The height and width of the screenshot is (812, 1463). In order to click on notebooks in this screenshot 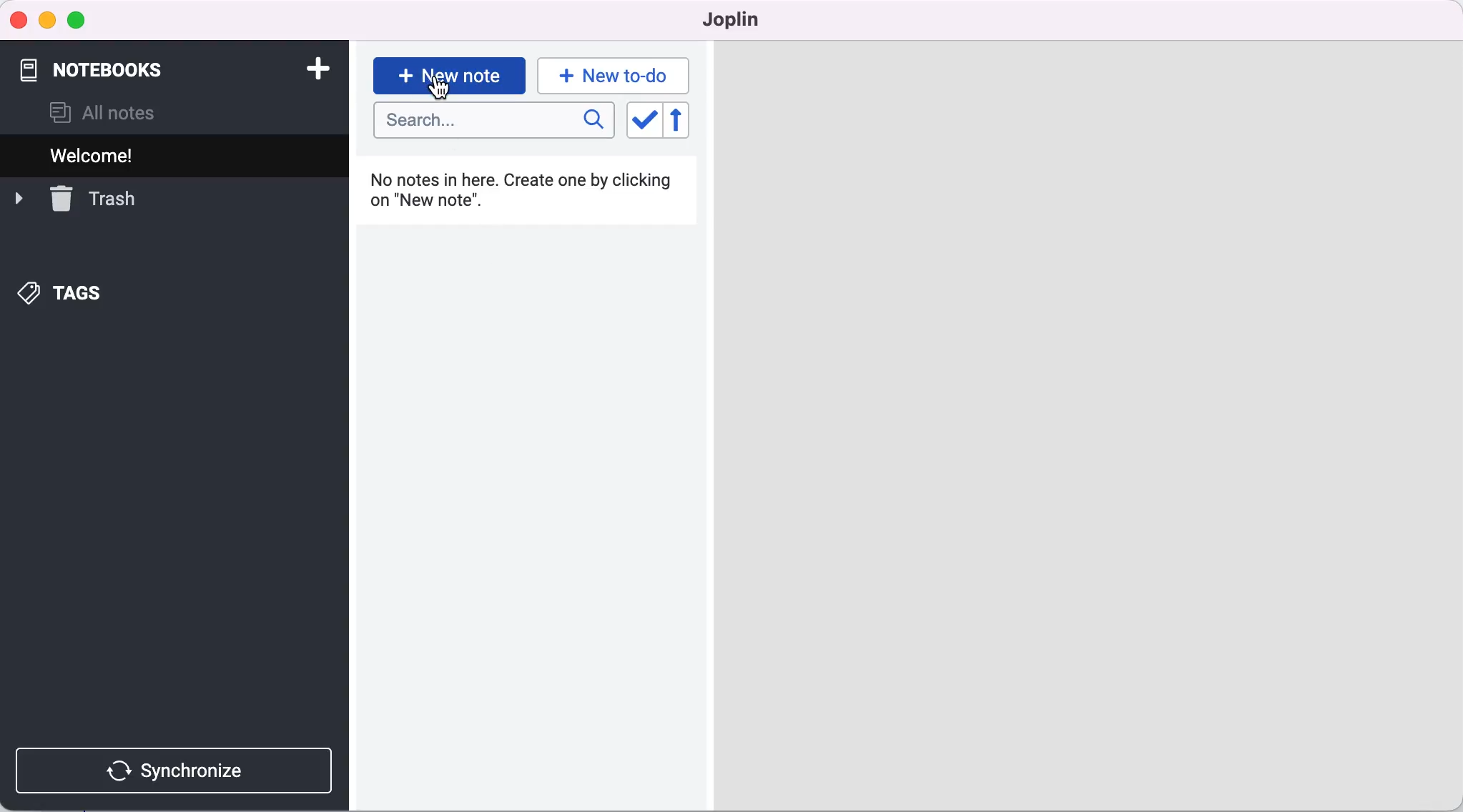, I will do `click(112, 66)`.